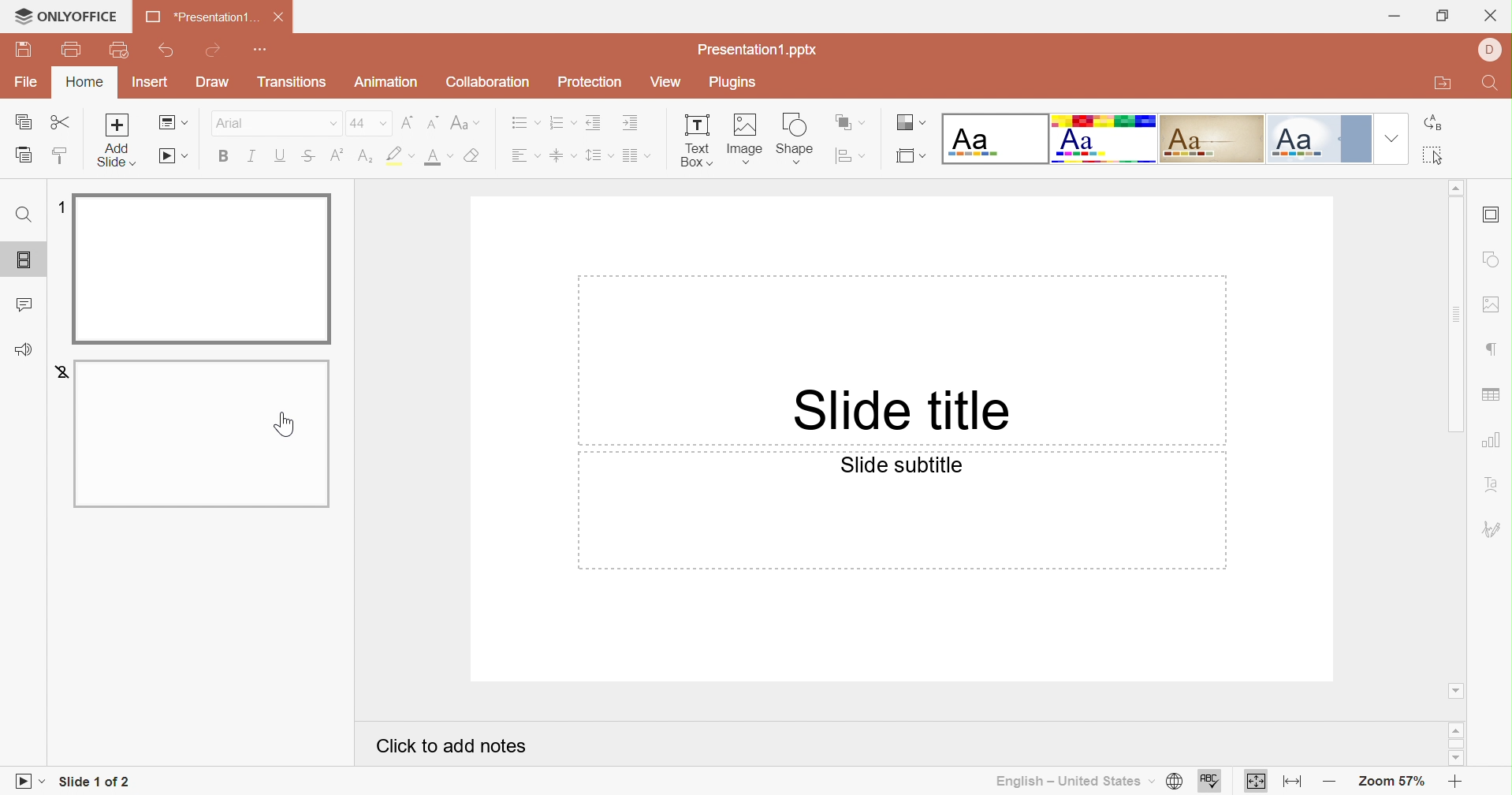  What do you see at coordinates (1497, 486) in the screenshot?
I see `Text art settings` at bounding box center [1497, 486].